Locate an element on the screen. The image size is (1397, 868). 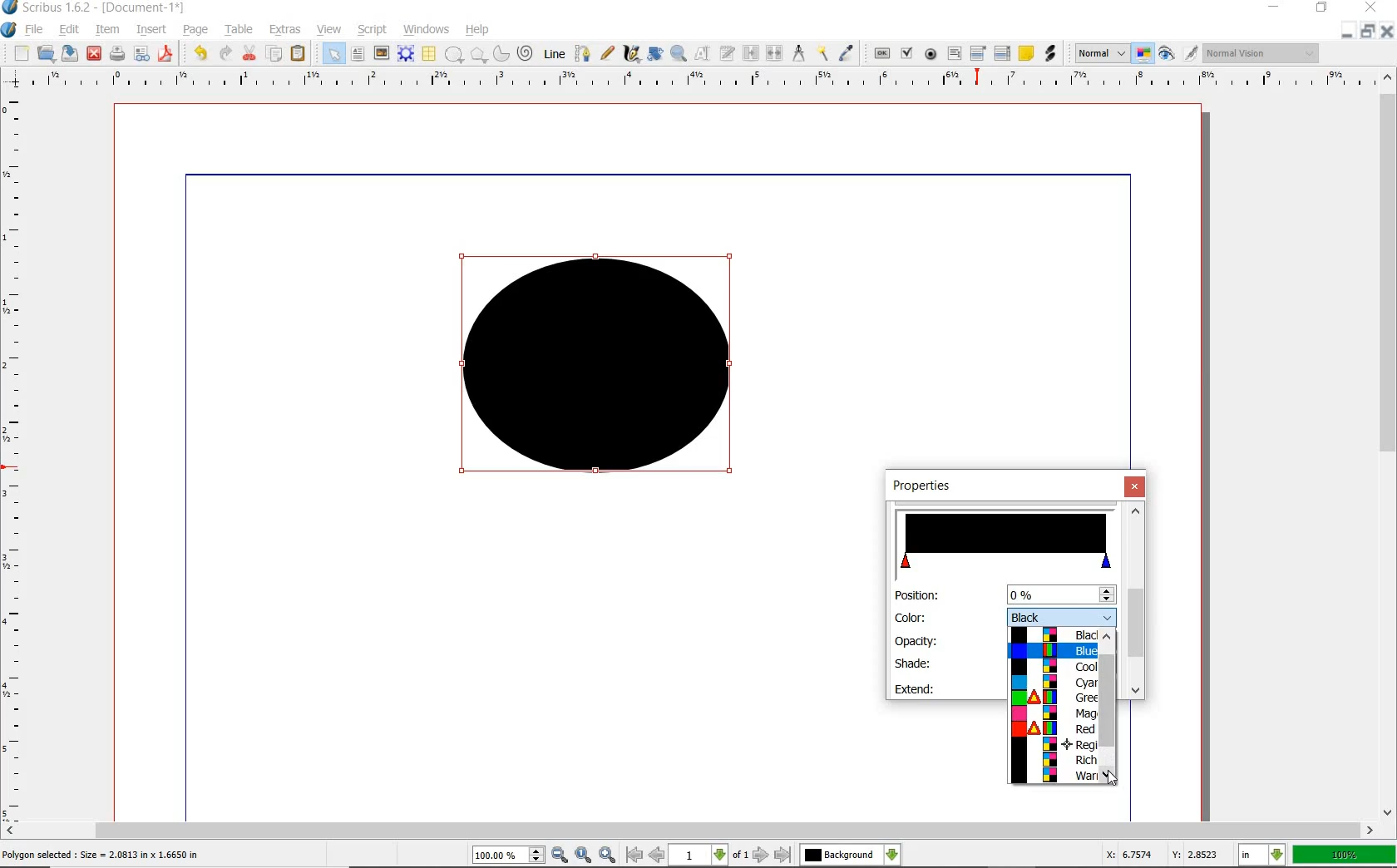
UNLINK TEXT FRAME is located at coordinates (773, 52).